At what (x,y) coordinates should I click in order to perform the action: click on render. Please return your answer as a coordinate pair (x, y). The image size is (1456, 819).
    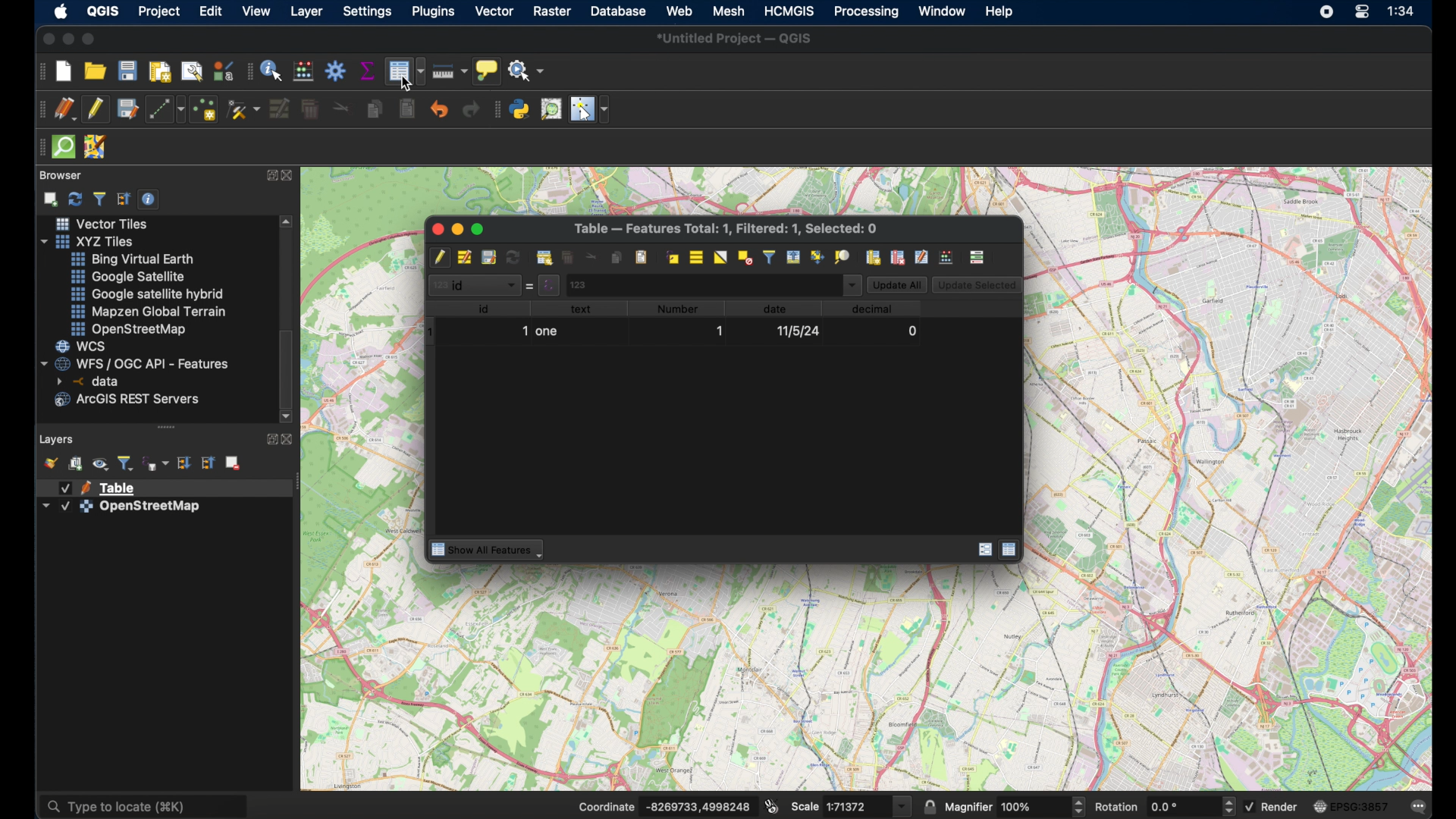
    Looking at the image, I should click on (1285, 806).